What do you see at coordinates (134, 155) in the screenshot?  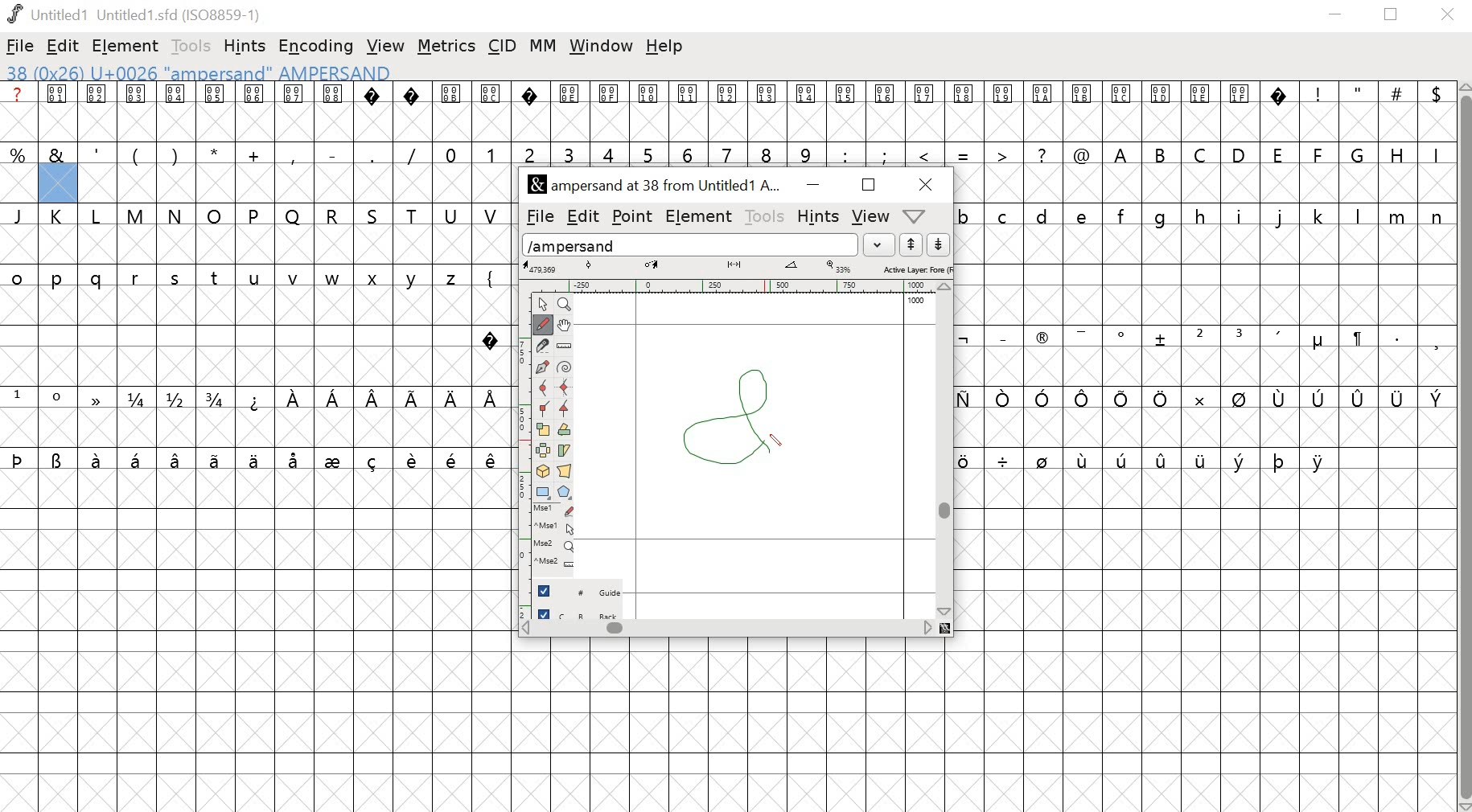 I see `(` at bounding box center [134, 155].